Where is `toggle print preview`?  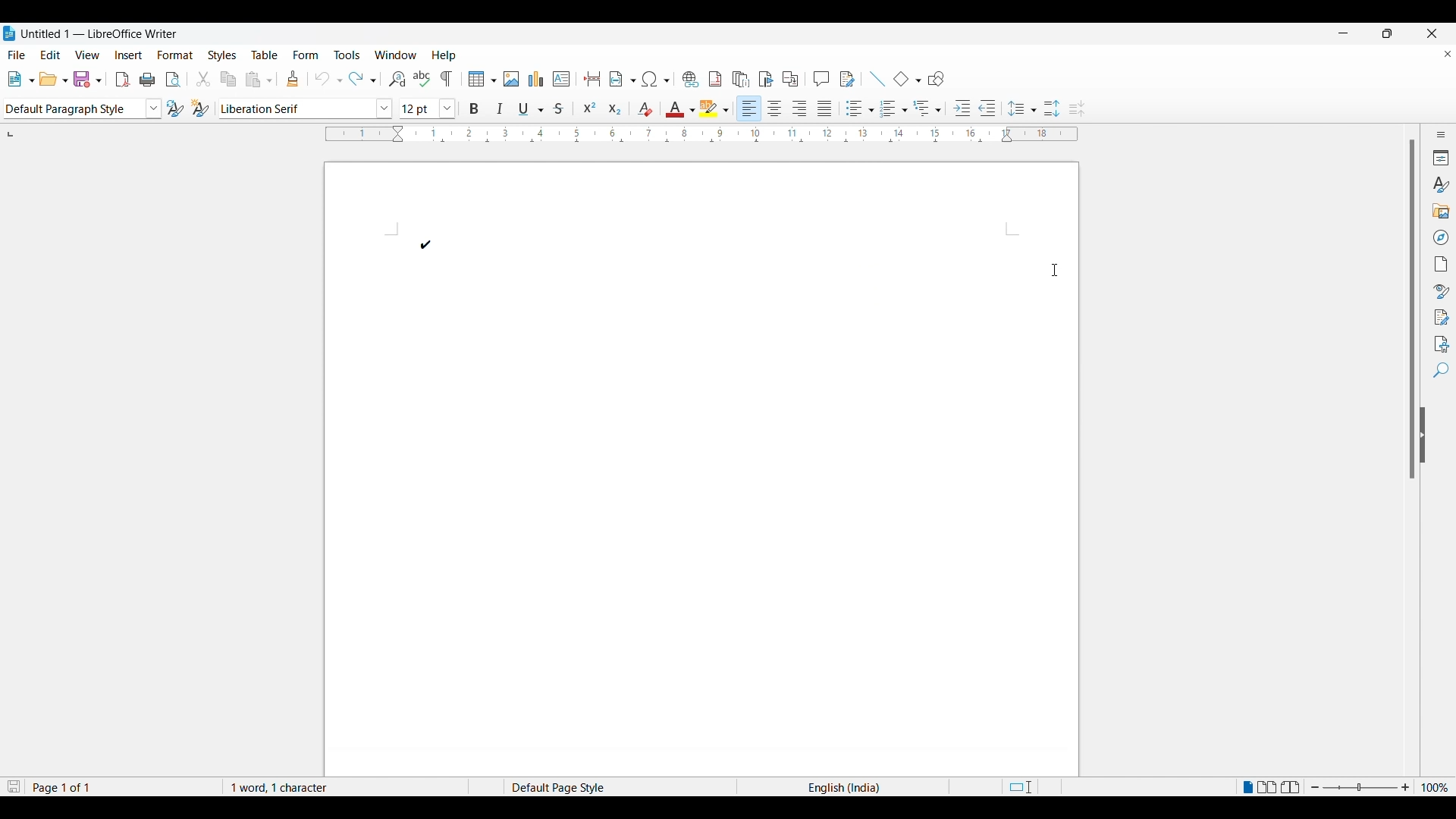 toggle print preview is located at coordinates (174, 79).